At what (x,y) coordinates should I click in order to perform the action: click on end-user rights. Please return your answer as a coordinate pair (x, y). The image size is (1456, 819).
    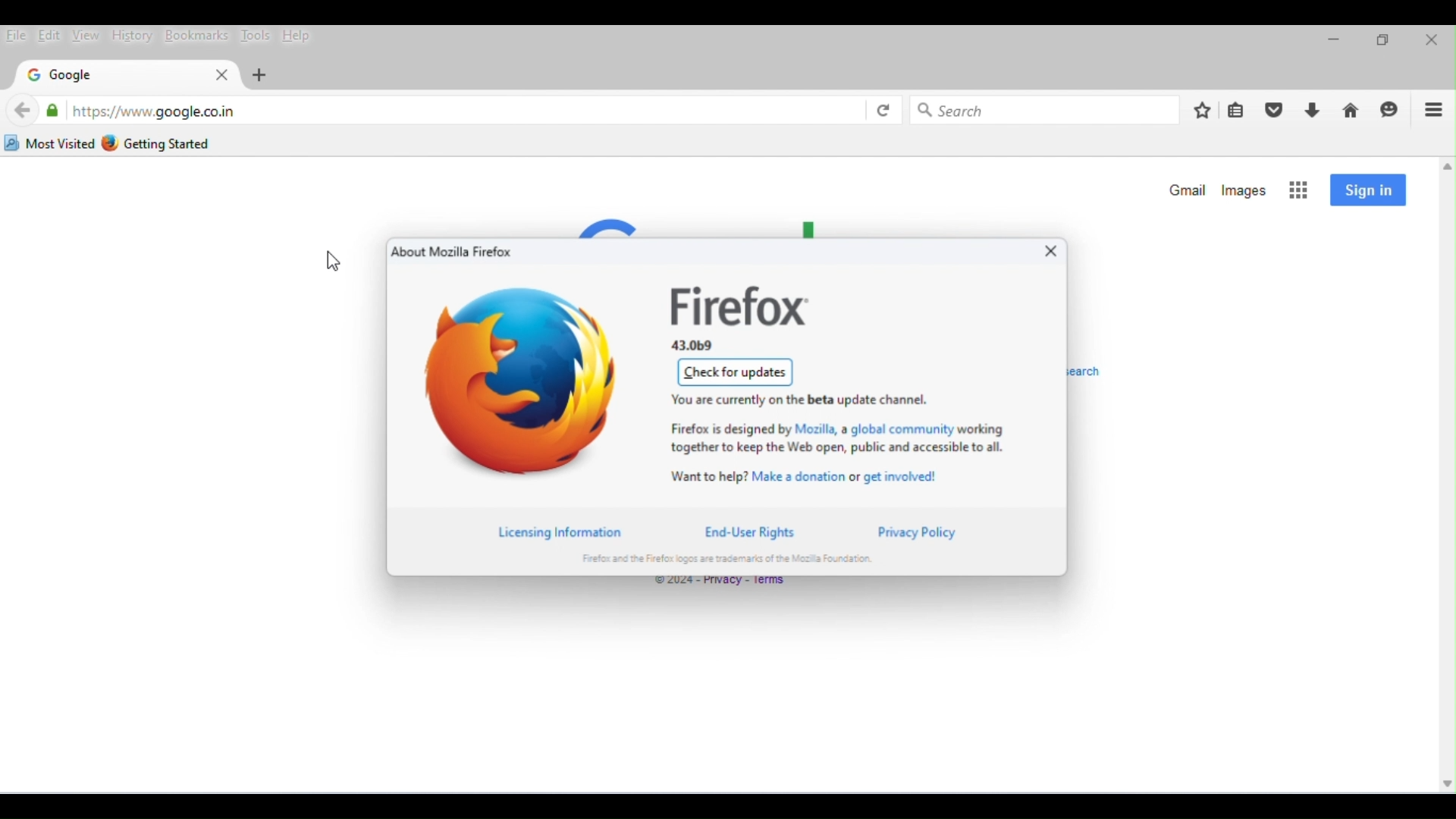
    Looking at the image, I should click on (750, 532).